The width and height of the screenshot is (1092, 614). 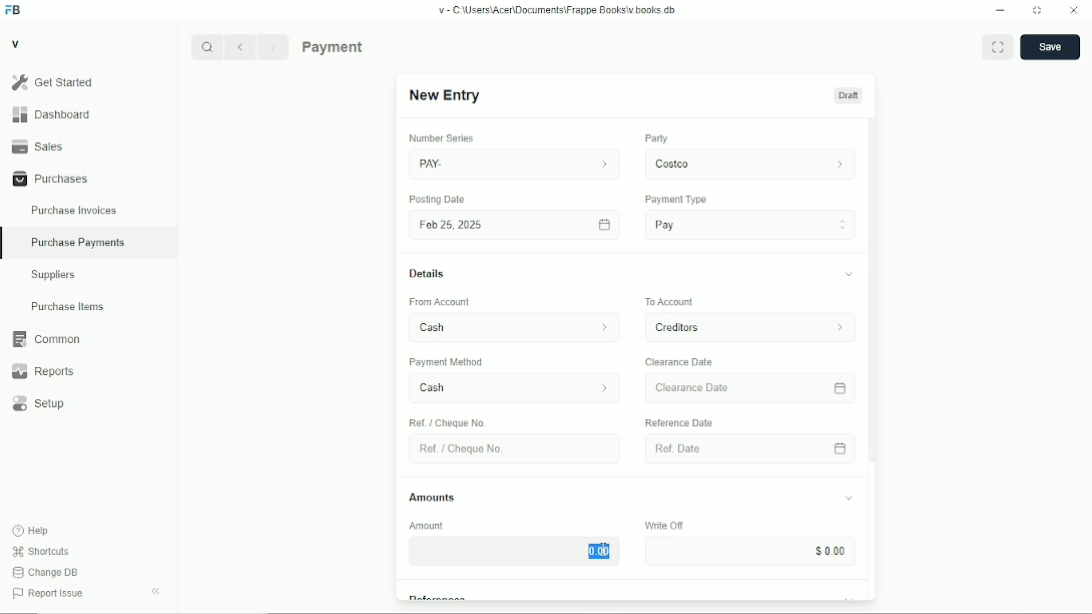 I want to click on number series, so click(x=437, y=139).